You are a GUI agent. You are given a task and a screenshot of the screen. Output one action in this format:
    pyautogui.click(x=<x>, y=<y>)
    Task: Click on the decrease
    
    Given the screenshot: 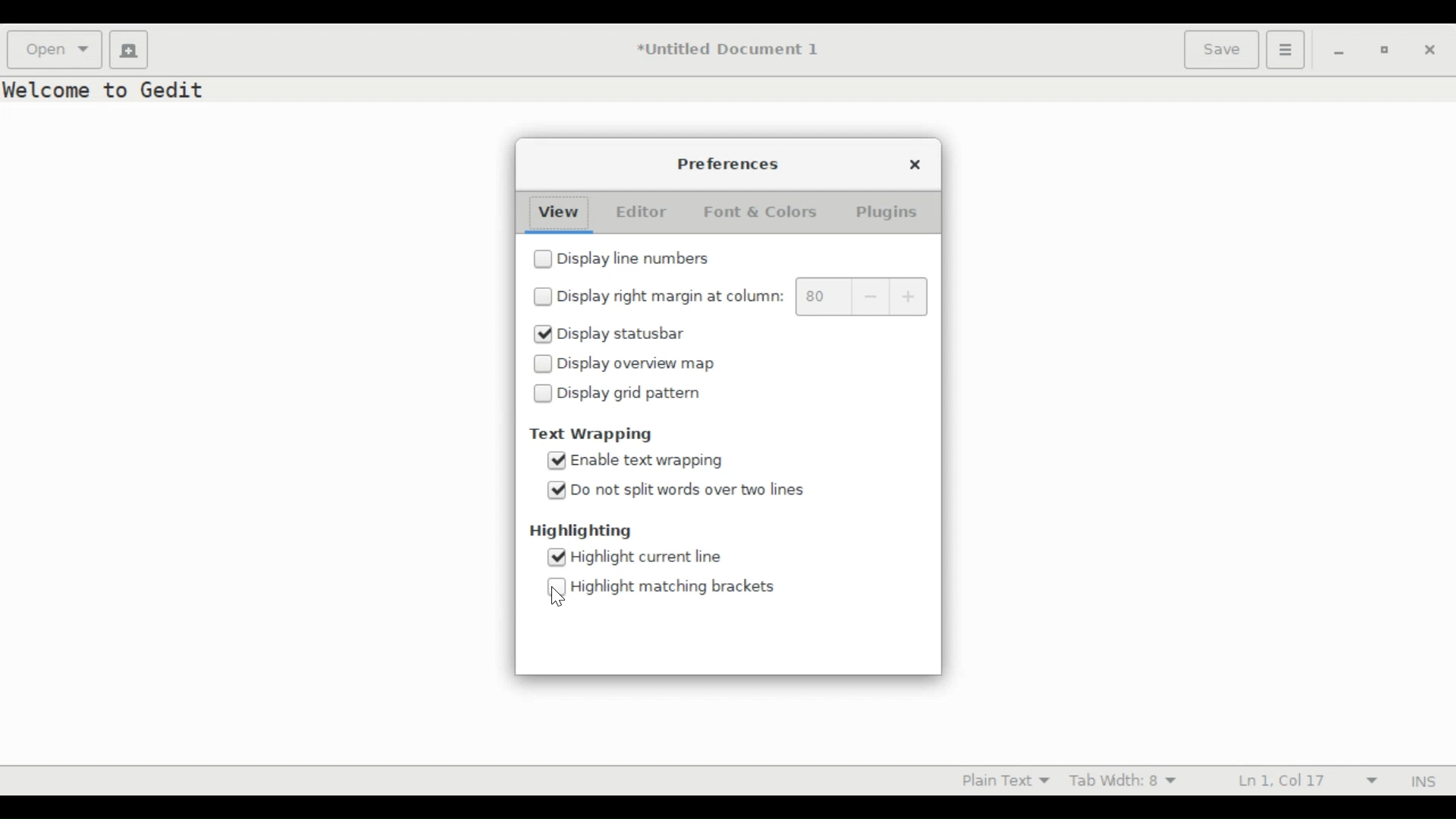 What is the action you would take?
    pyautogui.click(x=867, y=297)
    